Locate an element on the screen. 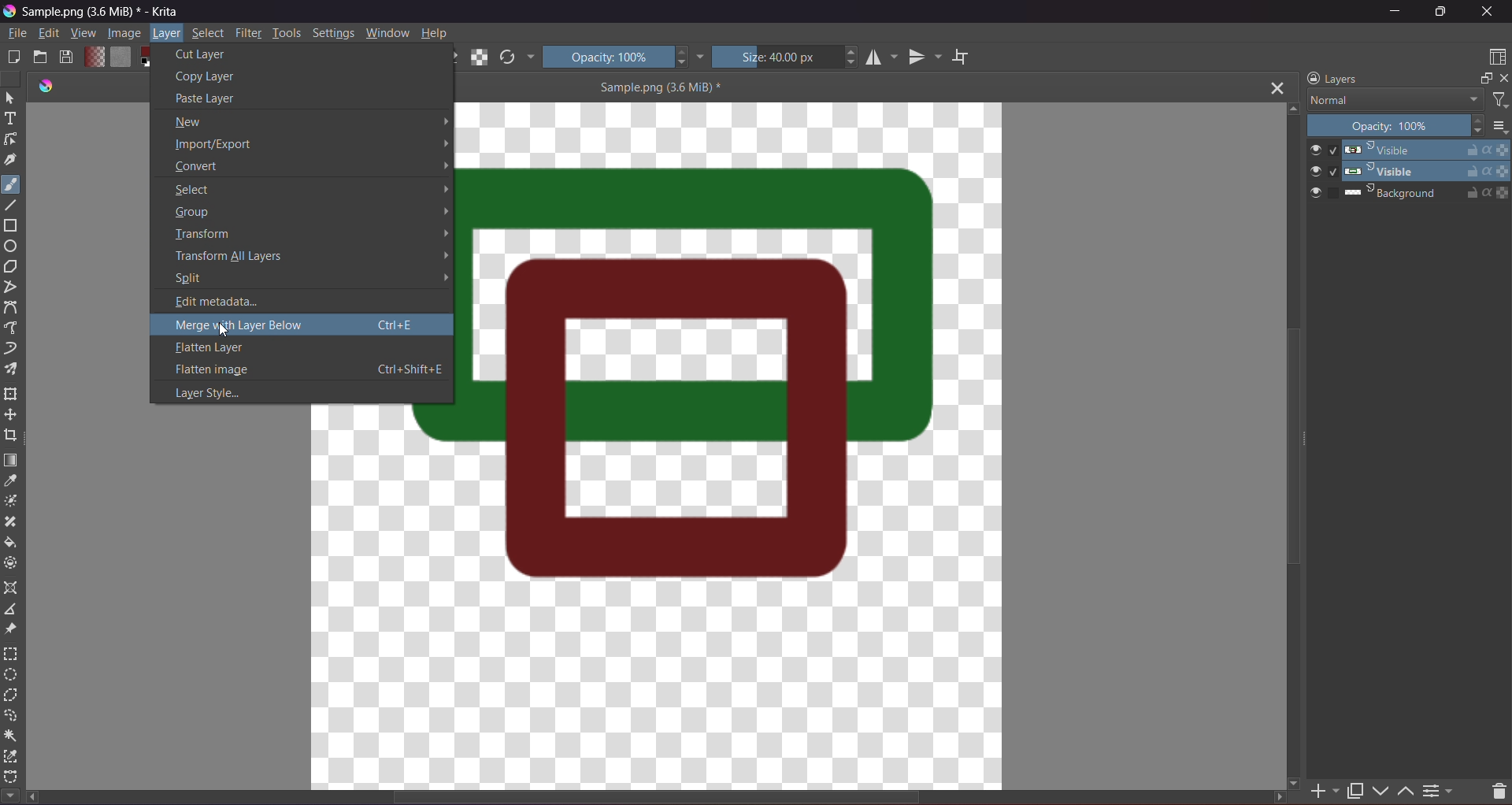 The image size is (1512, 805). Window is located at coordinates (387, 32).